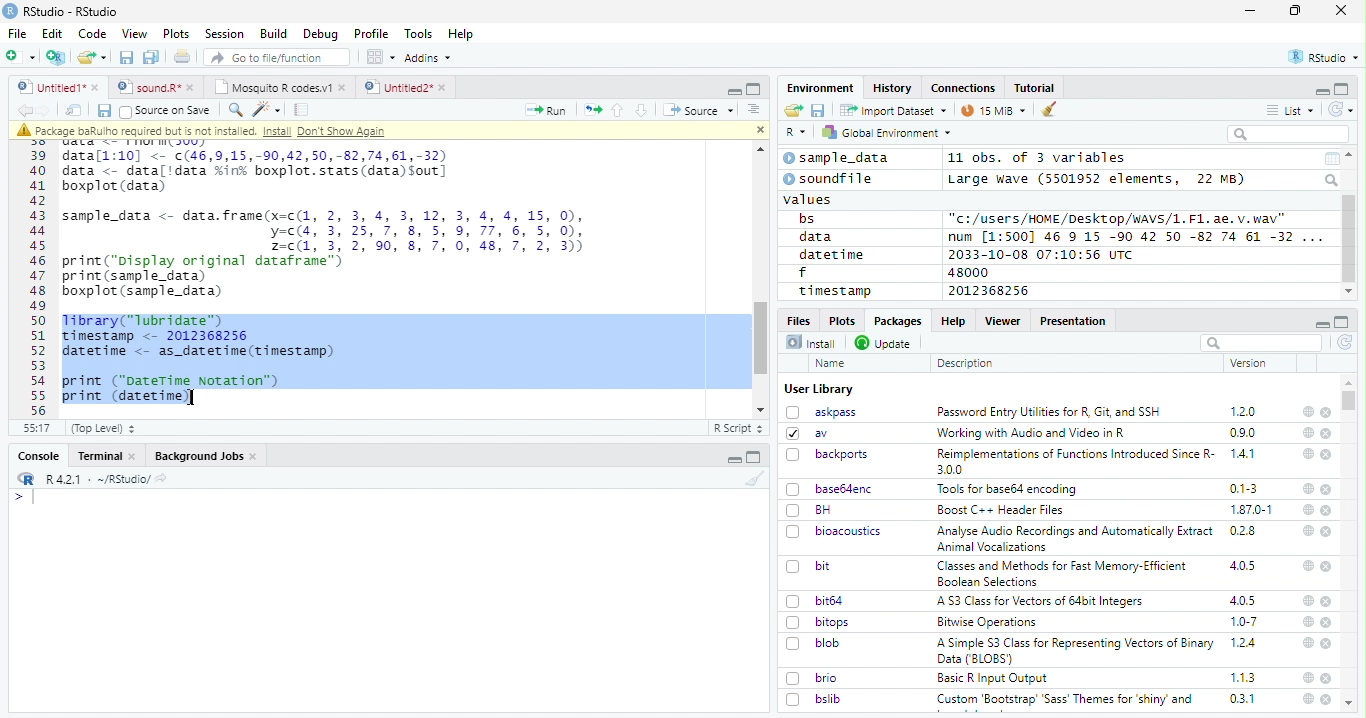 The image size is (1366, 718). What do you see at coordinates (1325, 58) in the screenshot?
I see `RStudio` at bounding box center [1325, 58].